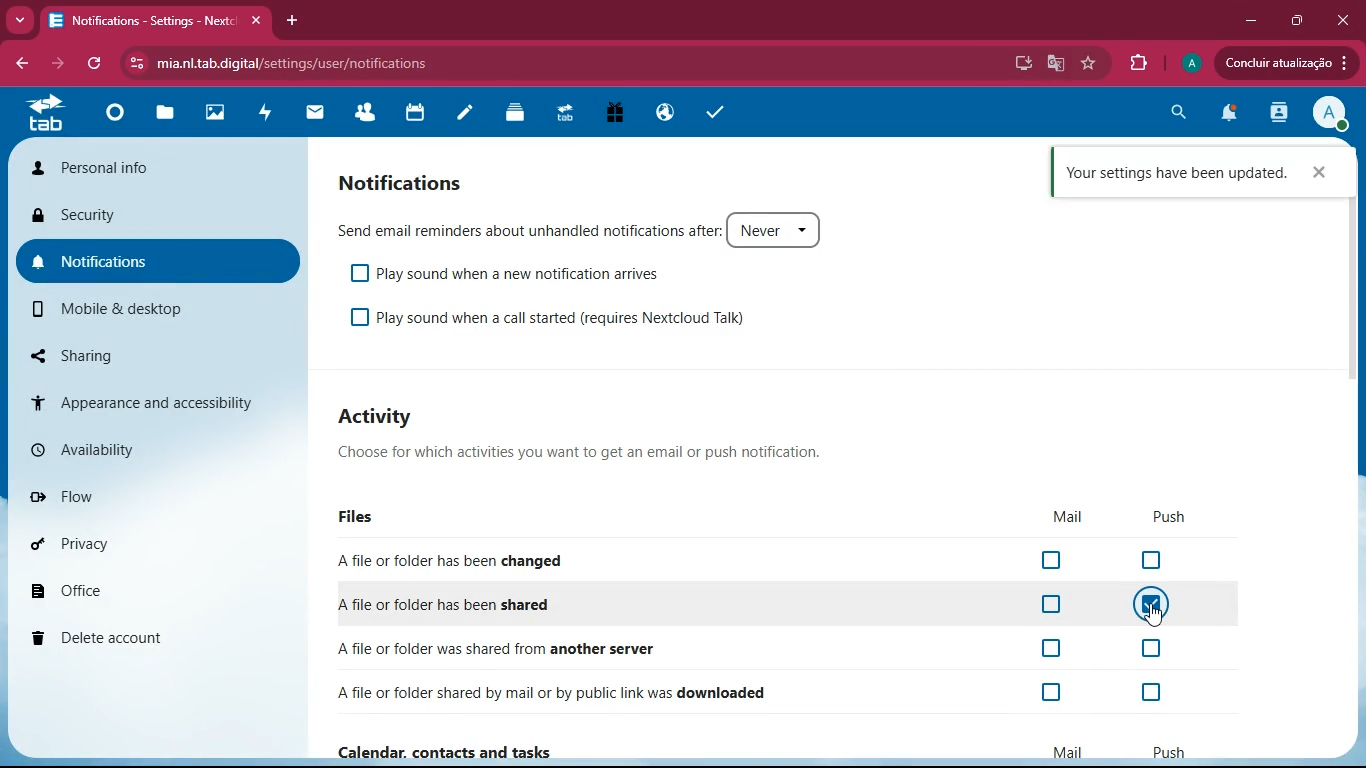 The image size is (1366, 768). What do you see at coordinates (102, 495) in the screenshot?
I see `flow` at bounding box center [102, 495].